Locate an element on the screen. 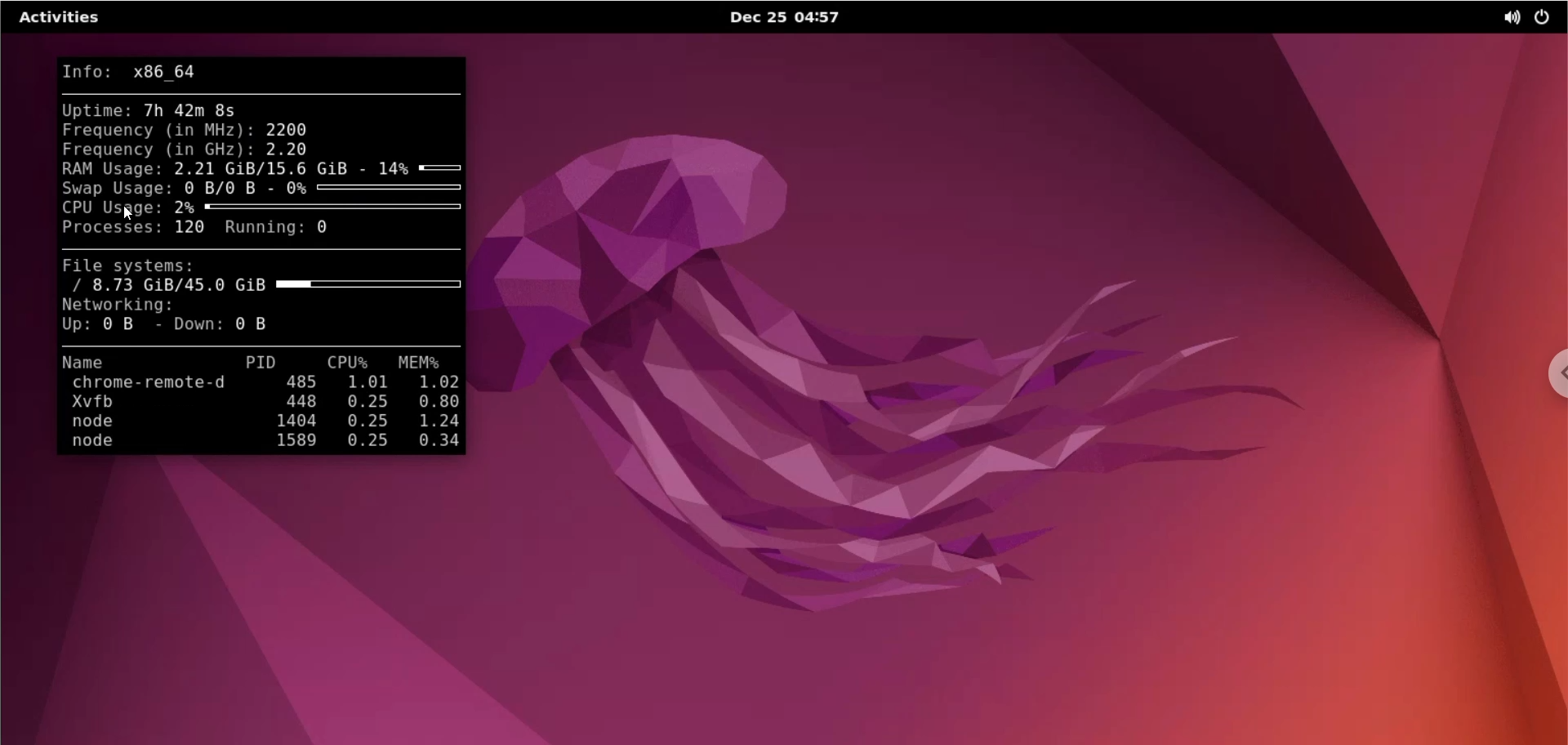 This screenshot has width=1568, height=745. Name is located at coordinates (100, 363).